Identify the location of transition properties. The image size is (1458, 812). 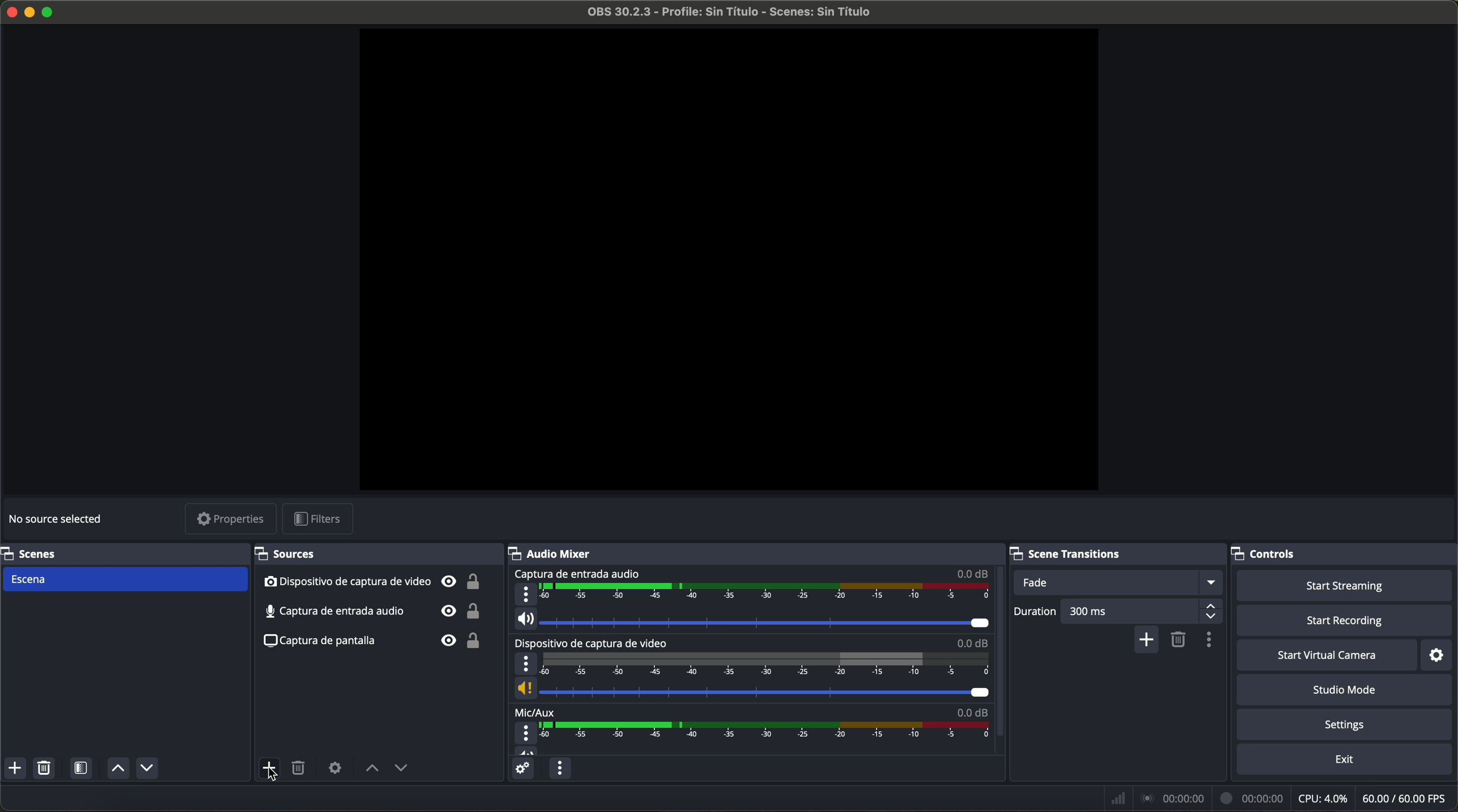
(1212, 641).